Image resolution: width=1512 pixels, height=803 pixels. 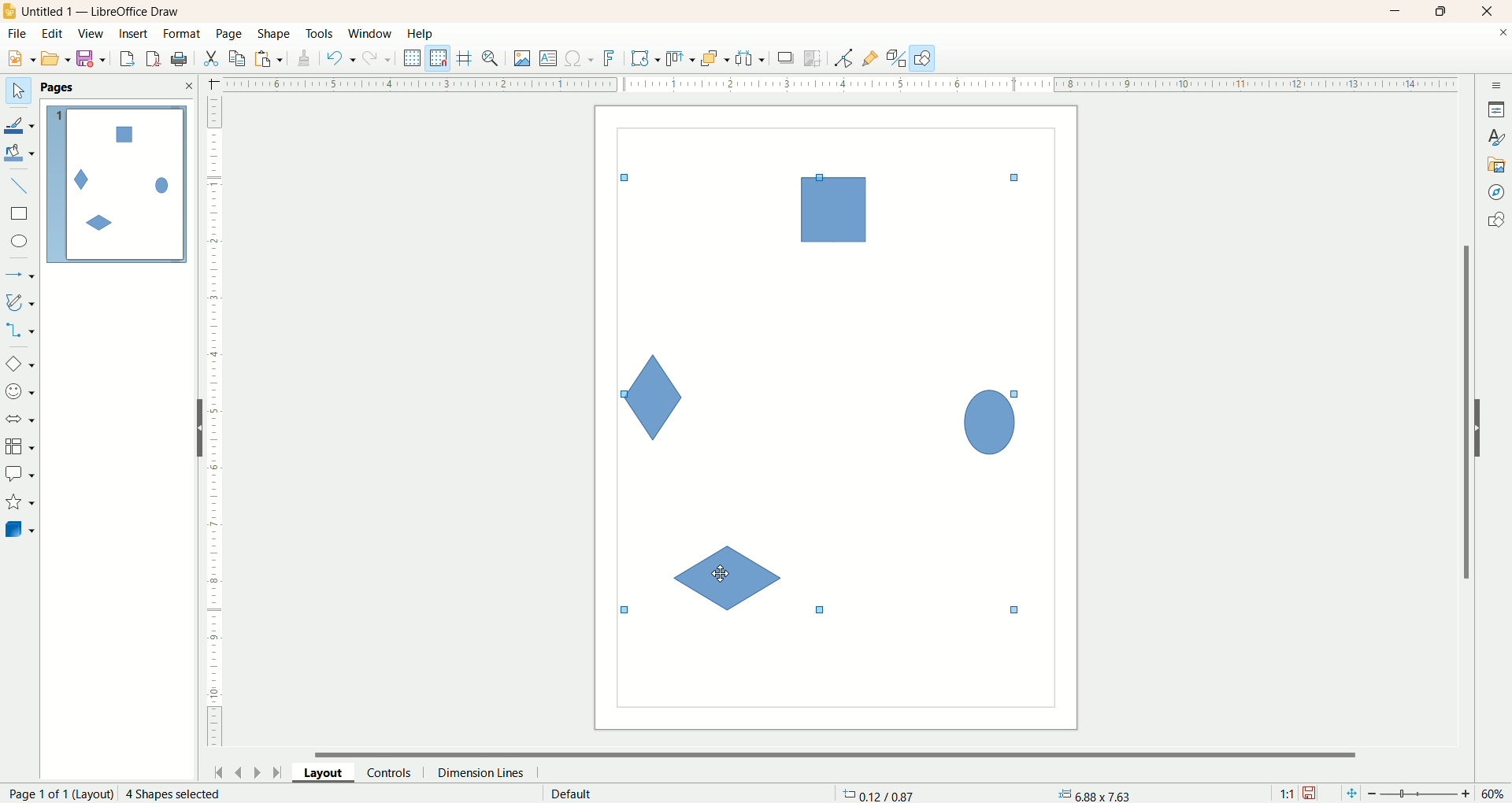 What do you see at coordinates (20, 330) in the screenshot?
I see `connectors` at bounding box center [20, 330].